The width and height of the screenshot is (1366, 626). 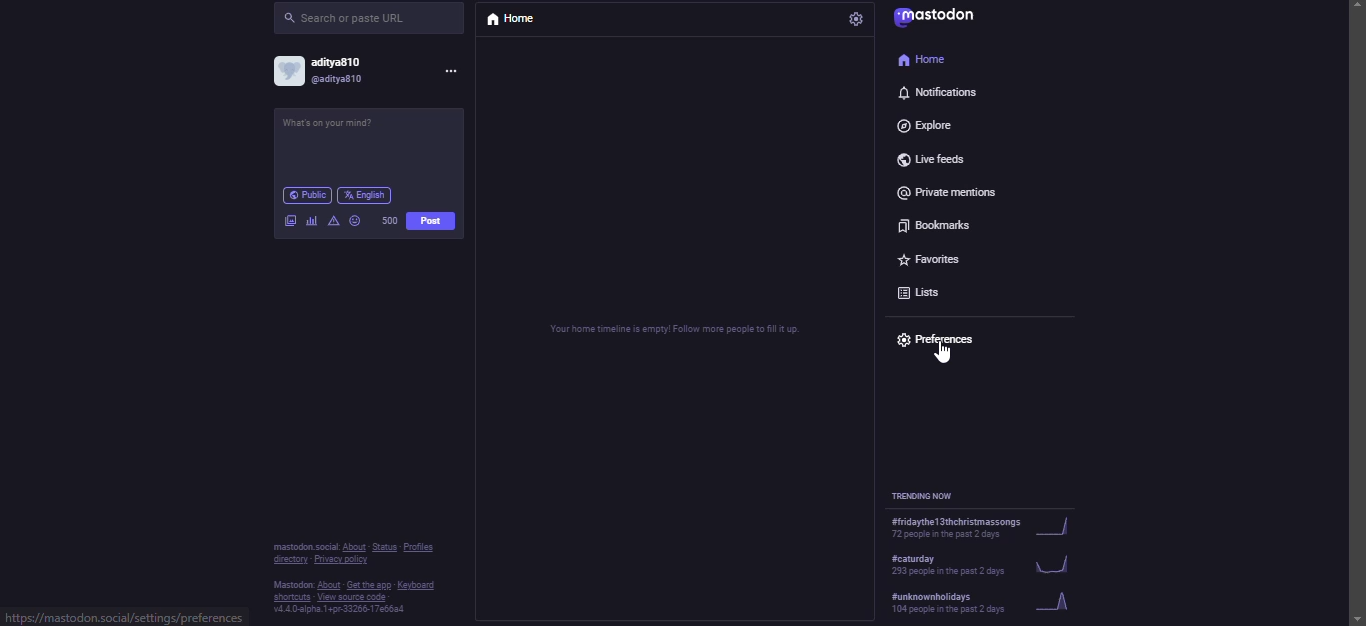 I want to click on search, so click(x=354, y=17).